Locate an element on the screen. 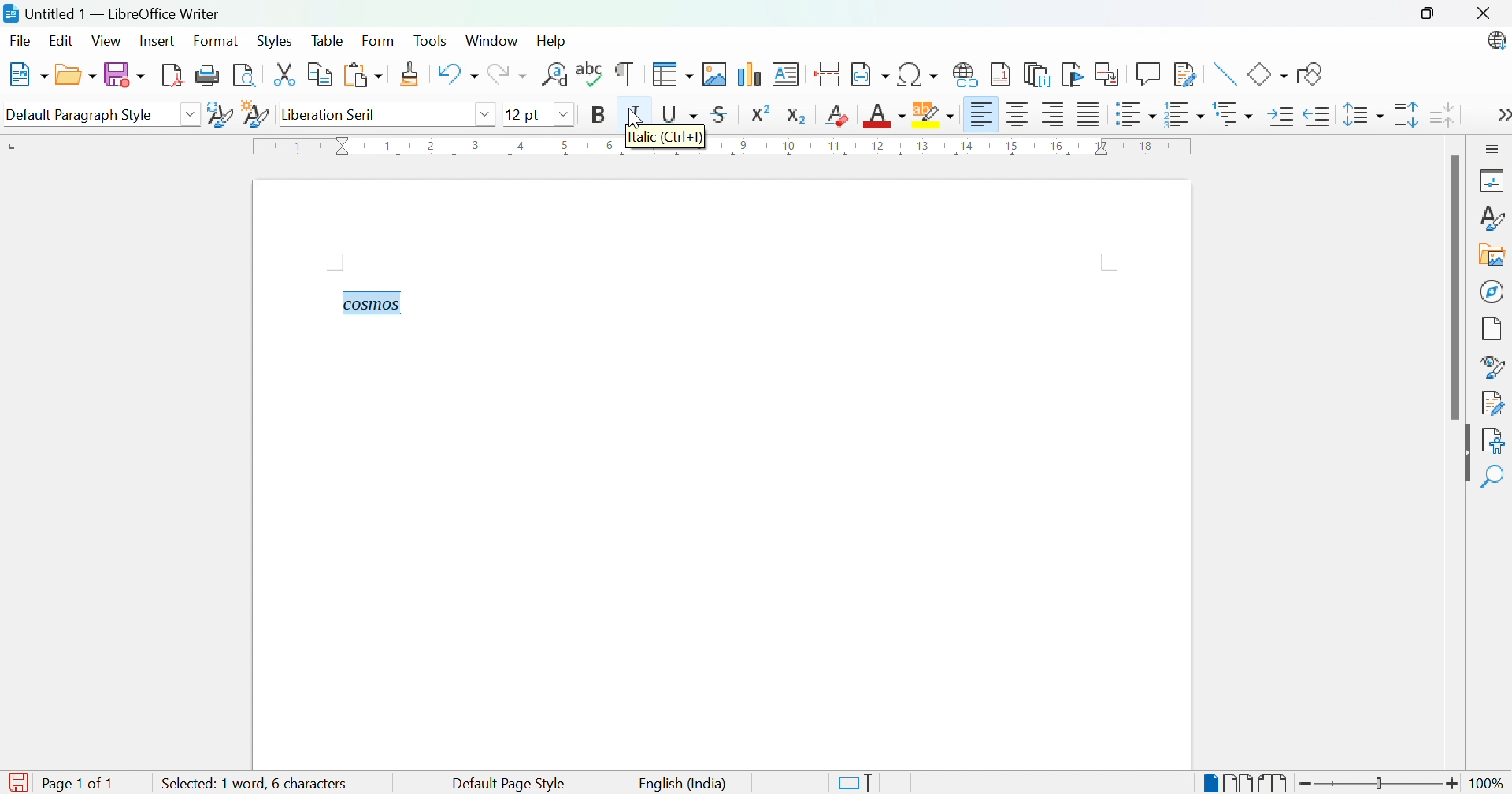 Image resolution: width=1512 pixels, height=794 pixels. Font color is located at coordinates (886, 117).